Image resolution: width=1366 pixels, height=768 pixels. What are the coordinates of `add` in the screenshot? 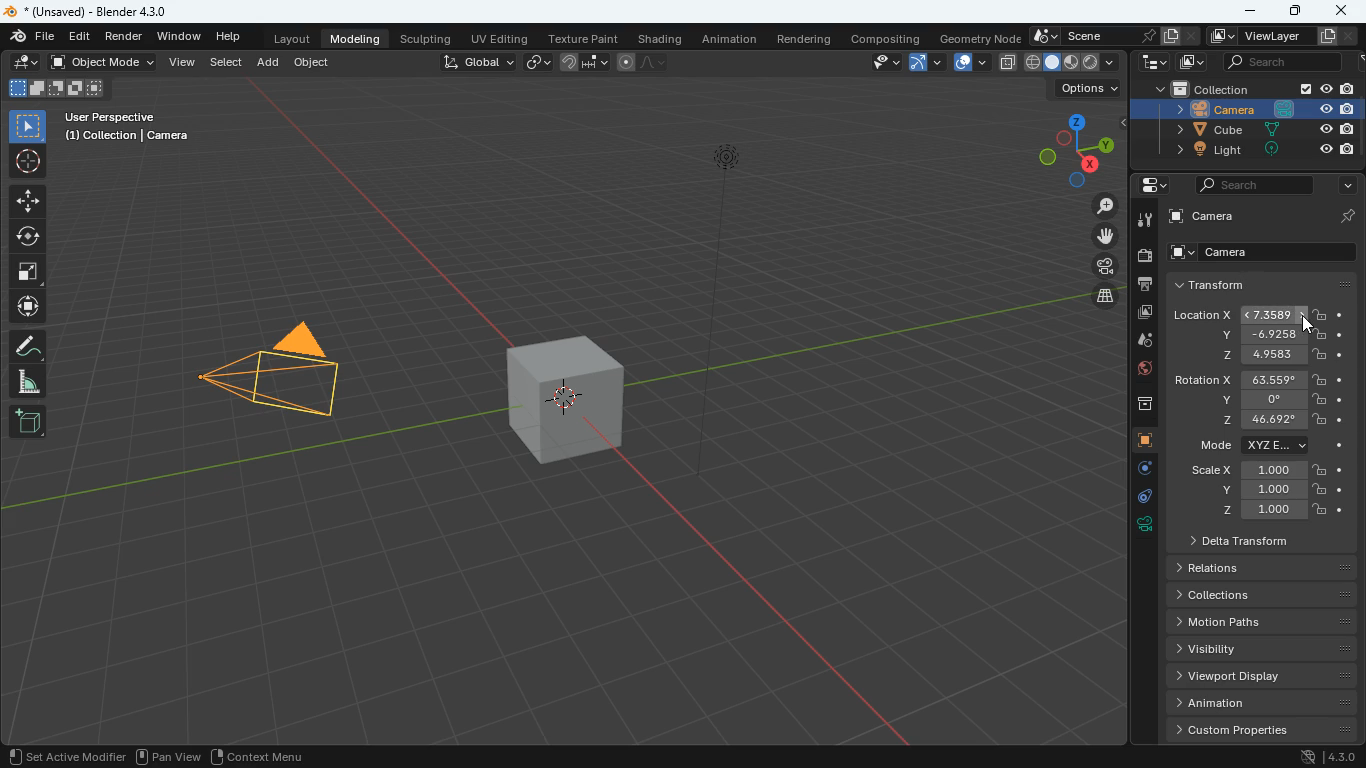 It's located at (267, 64).